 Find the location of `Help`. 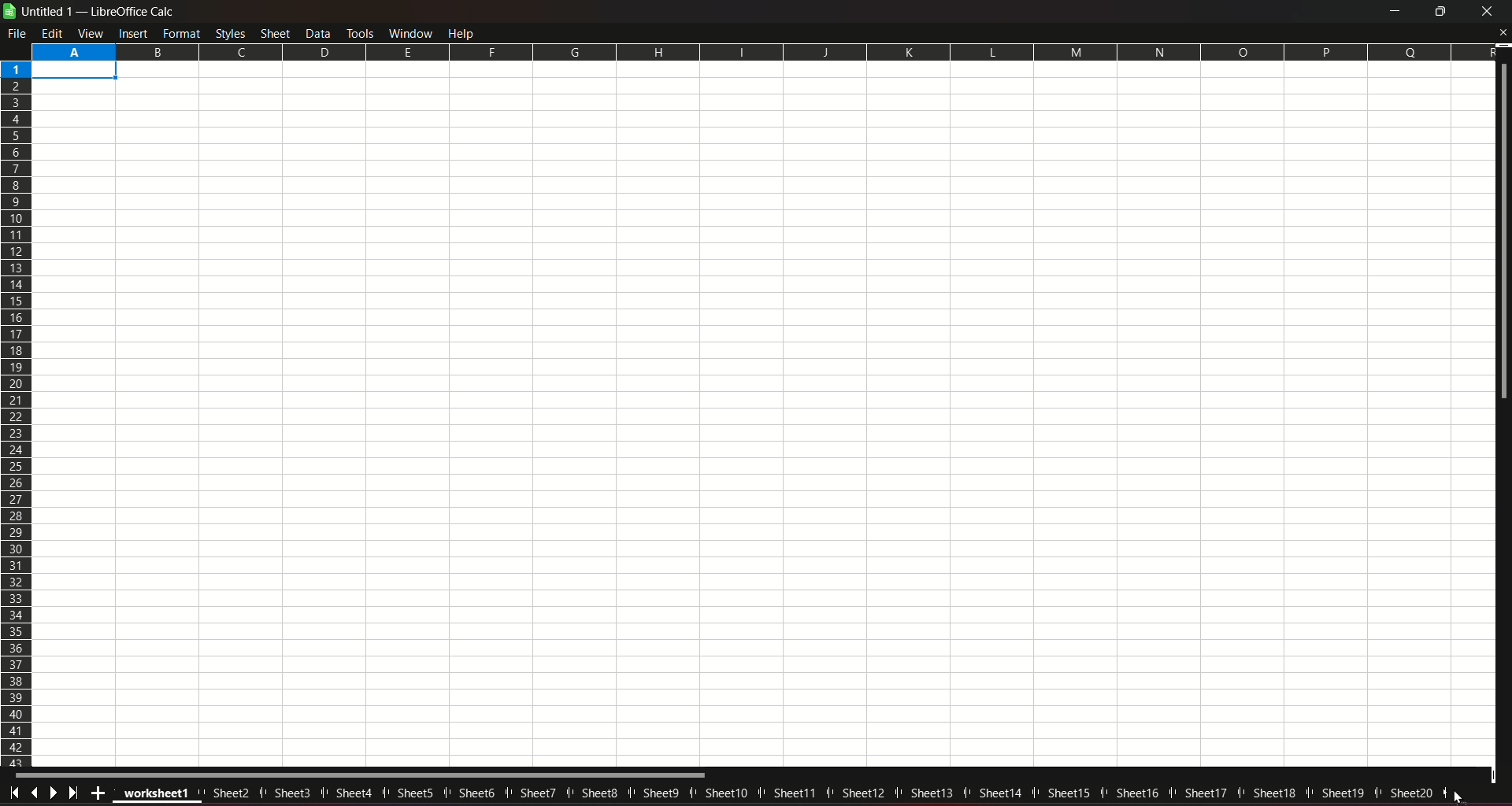

Help is located at coordinates (465, 32).